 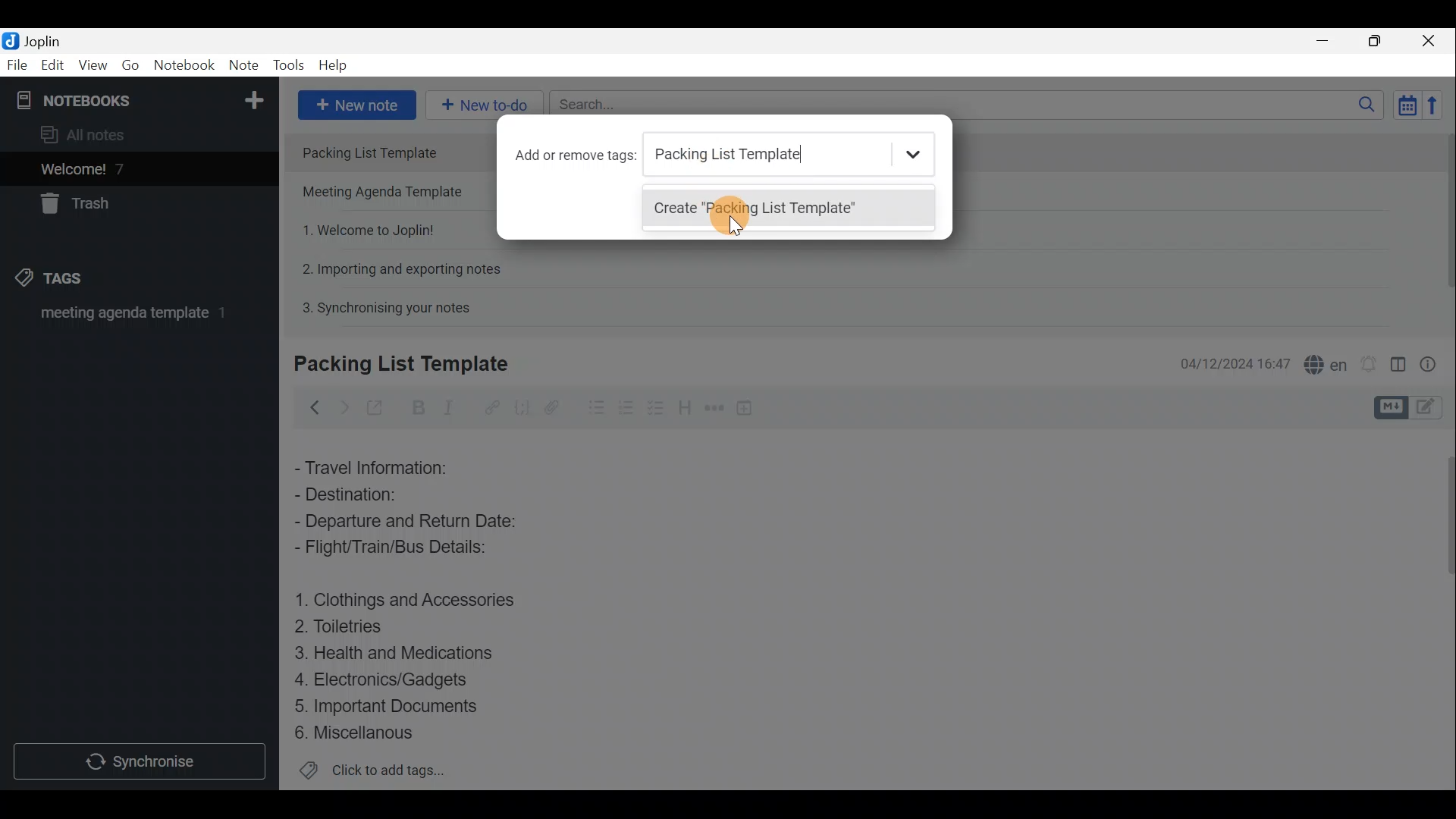 I want to click on add or remove tags, so click(x=578, y=155).